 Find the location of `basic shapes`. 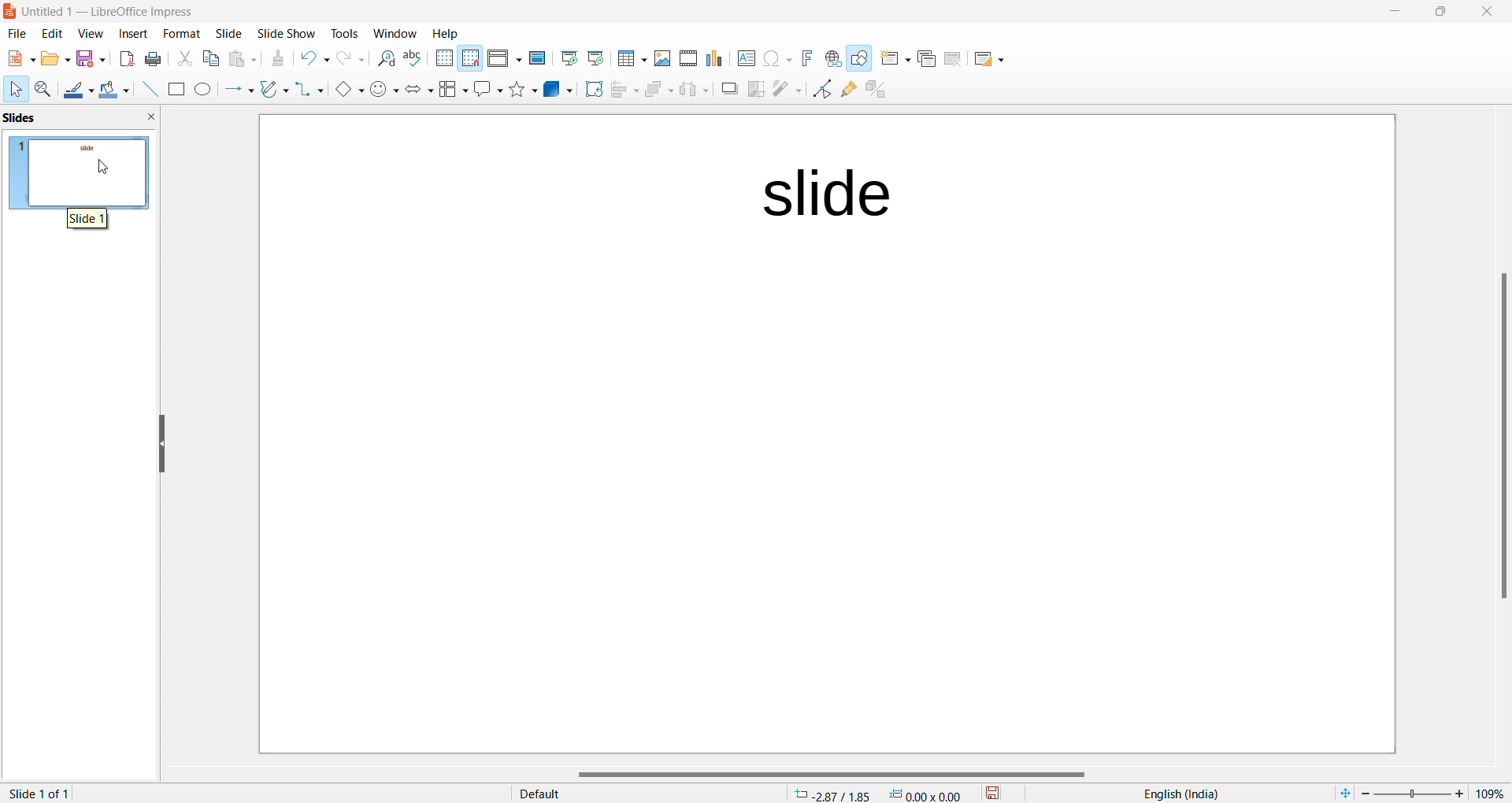

basic shapes is located at coordinates (344, 88).